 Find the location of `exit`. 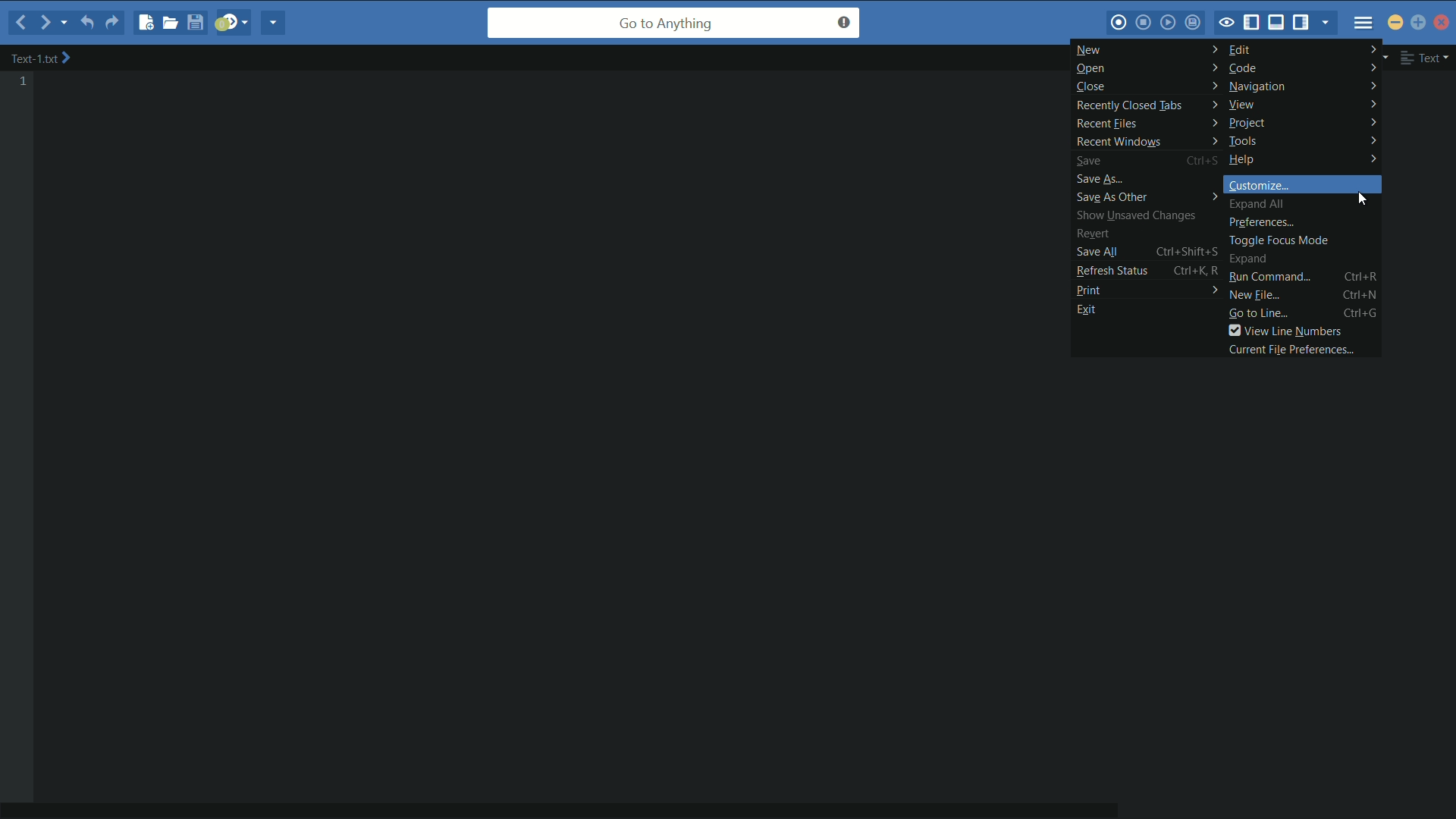

exit is located at coordinates (1087, 309).